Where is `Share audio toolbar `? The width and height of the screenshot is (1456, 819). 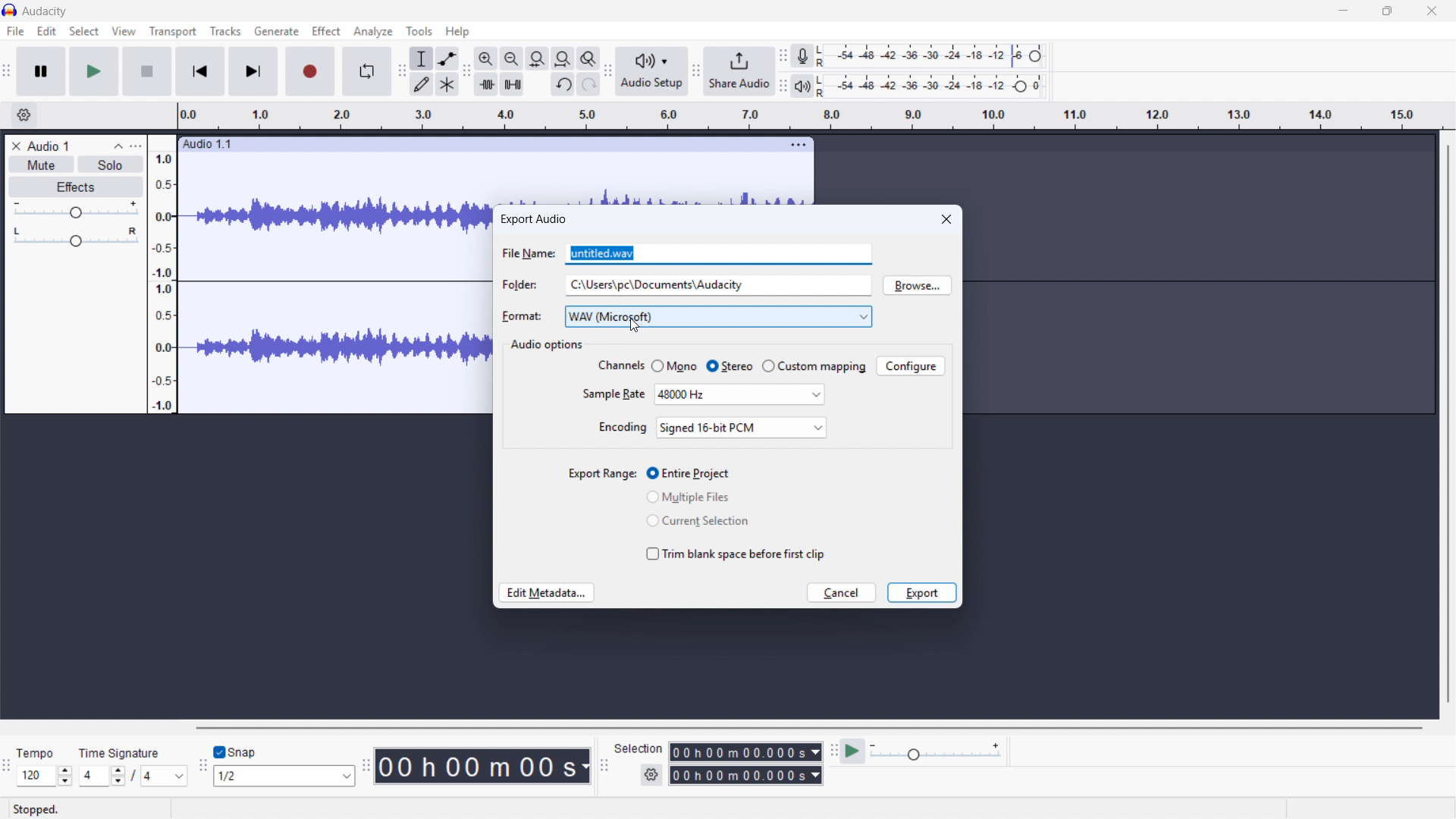
Share audio toolbar  is located at coordinates (696, 71).